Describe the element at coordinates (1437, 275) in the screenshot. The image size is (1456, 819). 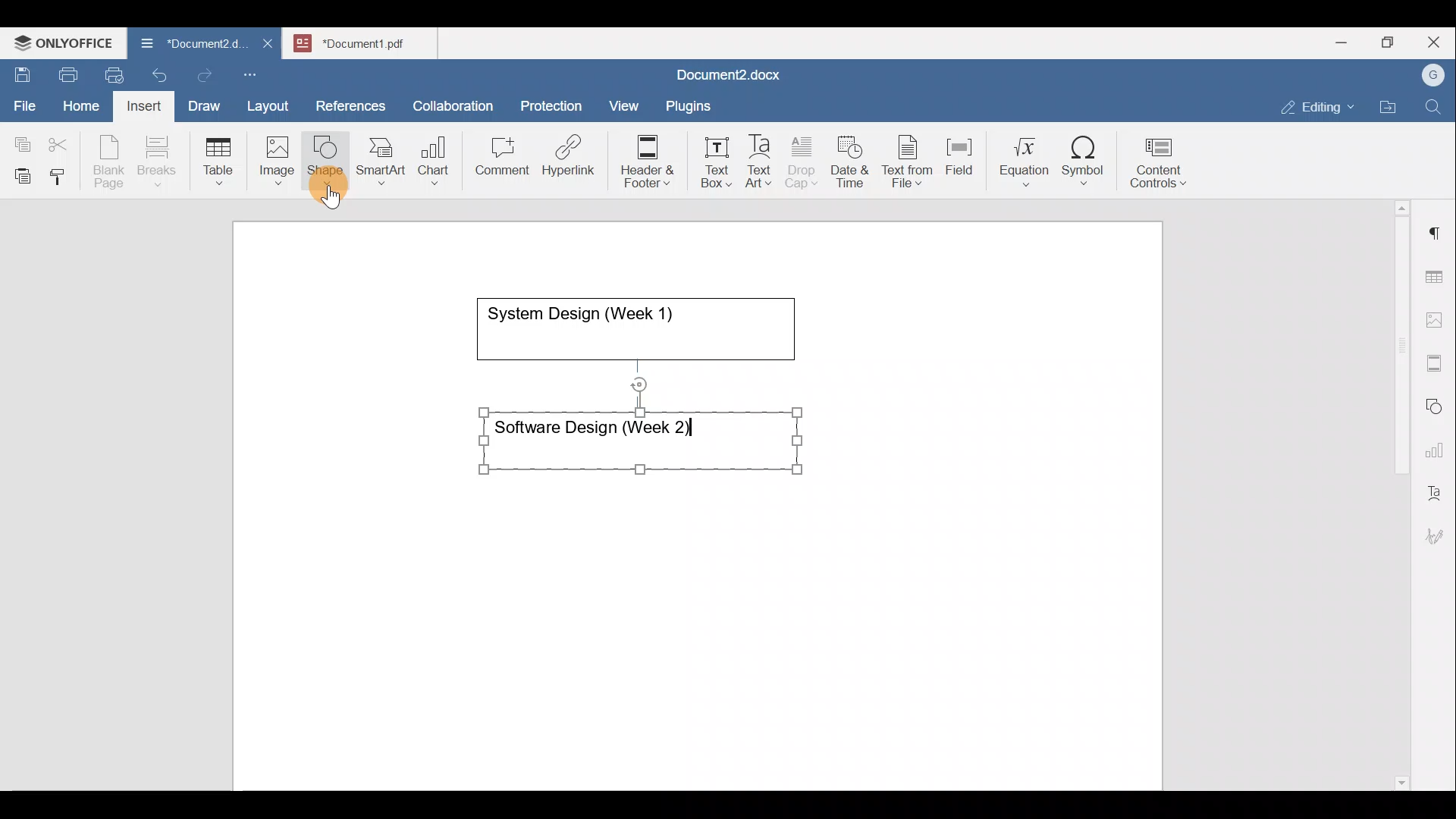
I see `Table settings` at that location.